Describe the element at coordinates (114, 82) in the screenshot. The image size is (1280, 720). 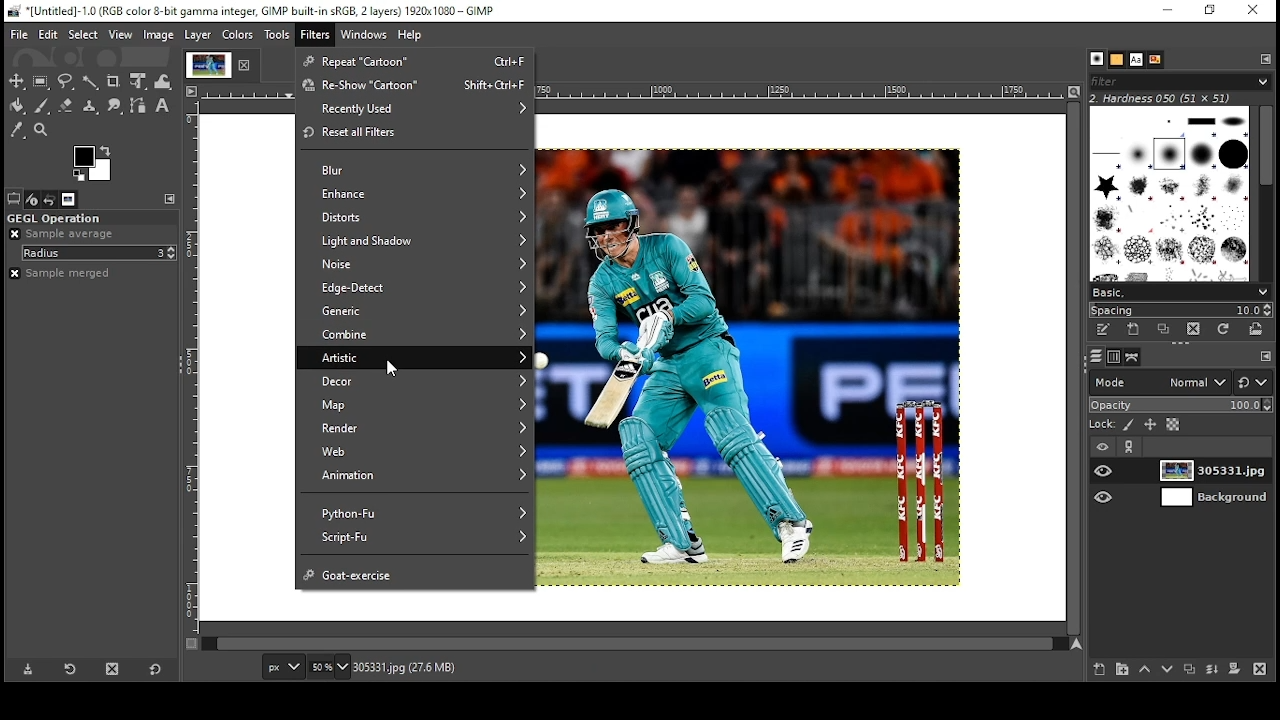
I see `crop tool` at that location.